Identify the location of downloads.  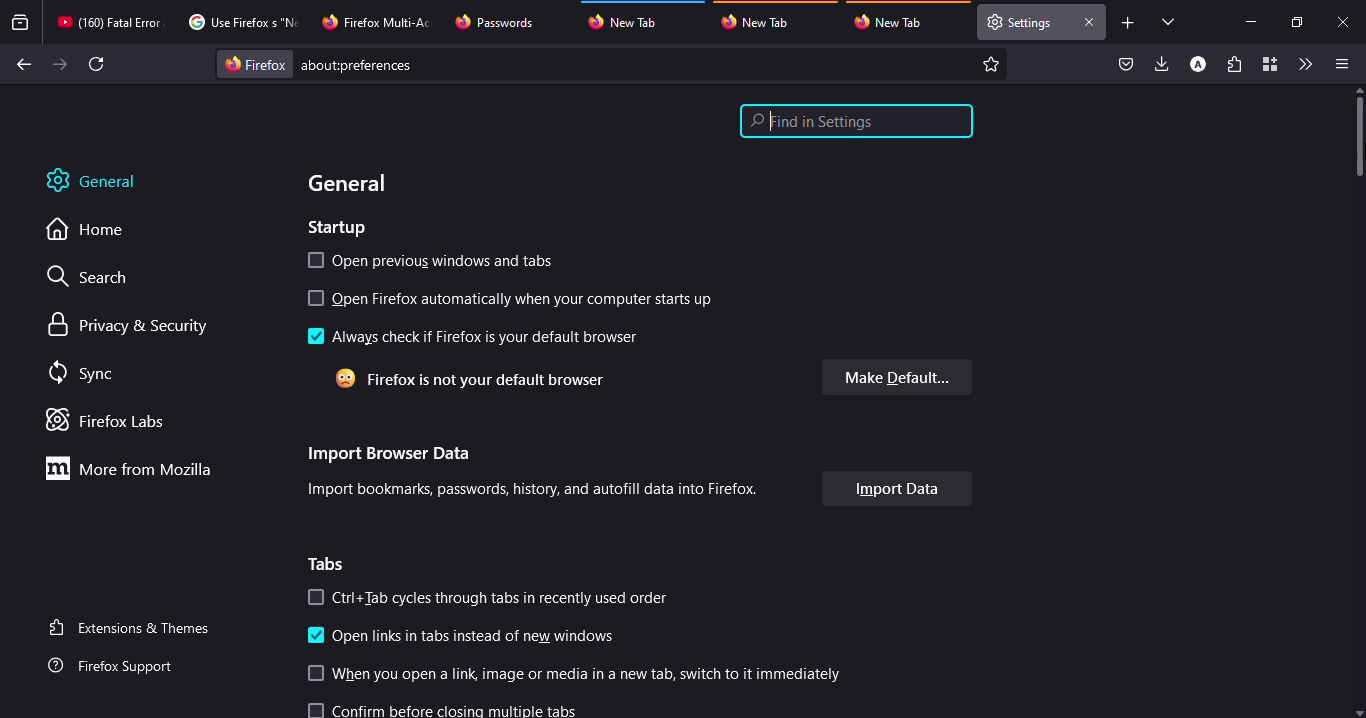
(1163, 63).